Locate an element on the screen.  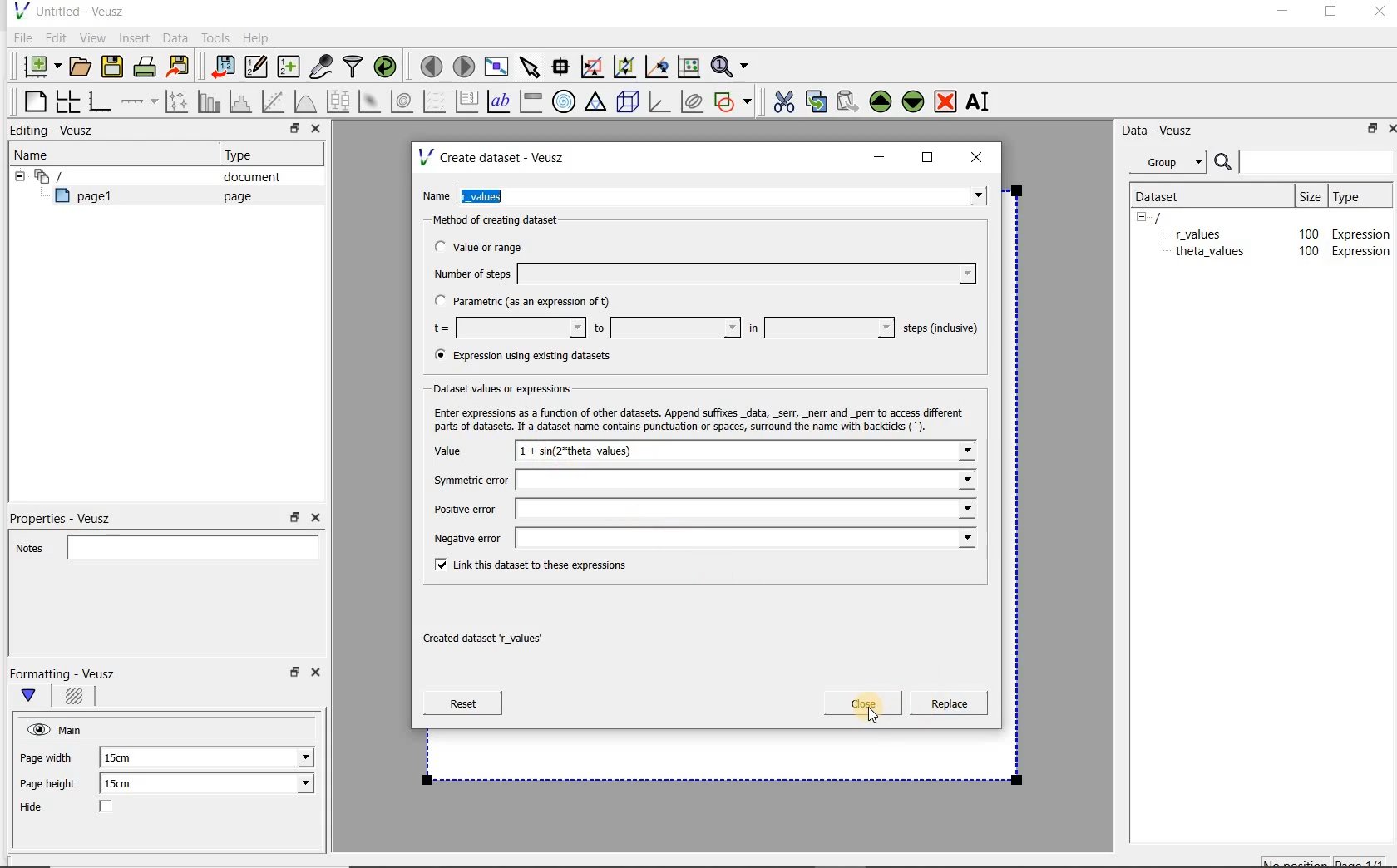
capture remote data is located at coordinates (322, 69).